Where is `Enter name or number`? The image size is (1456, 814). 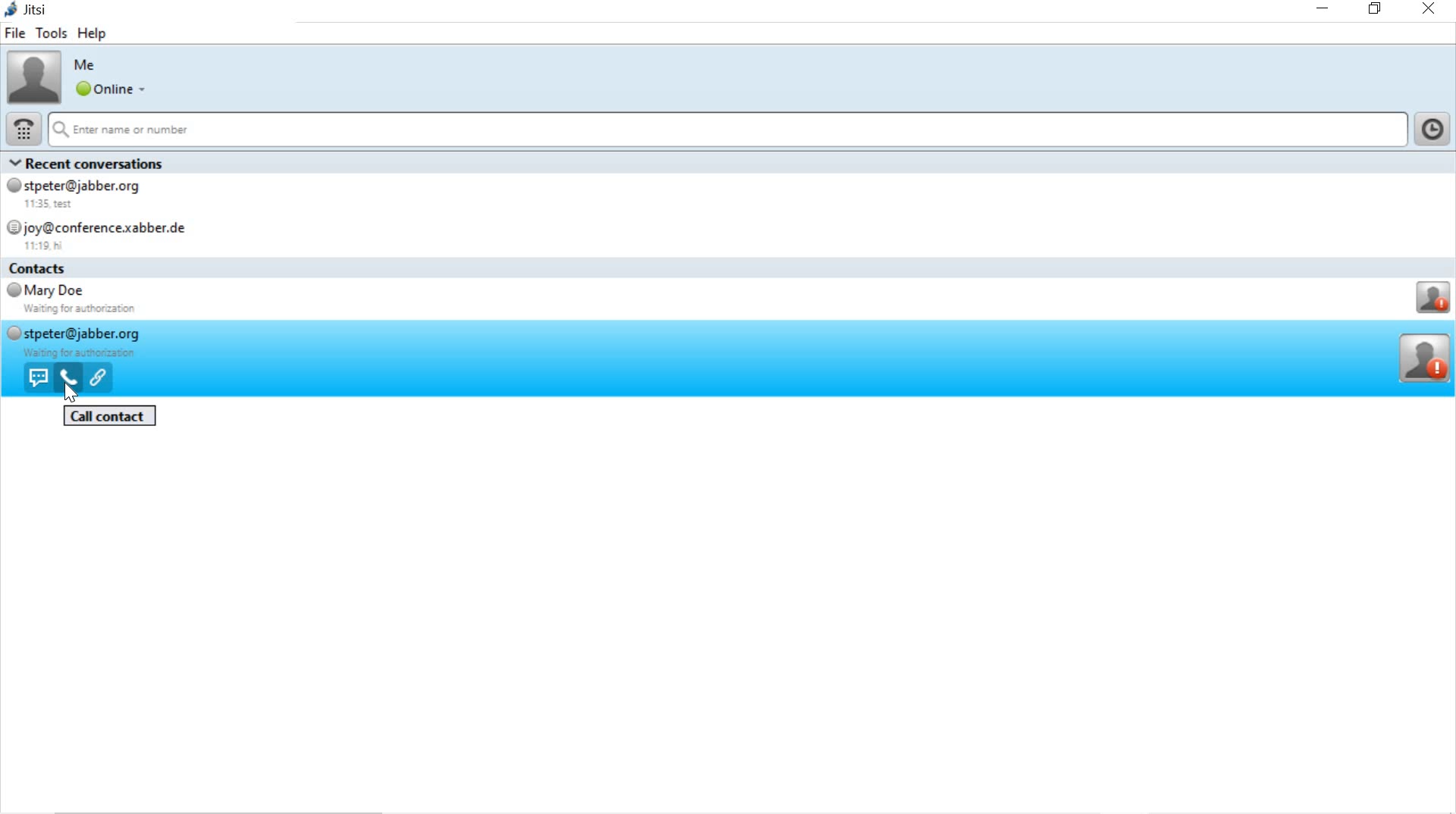
Enter name or number is located at coordinates (730, 130).